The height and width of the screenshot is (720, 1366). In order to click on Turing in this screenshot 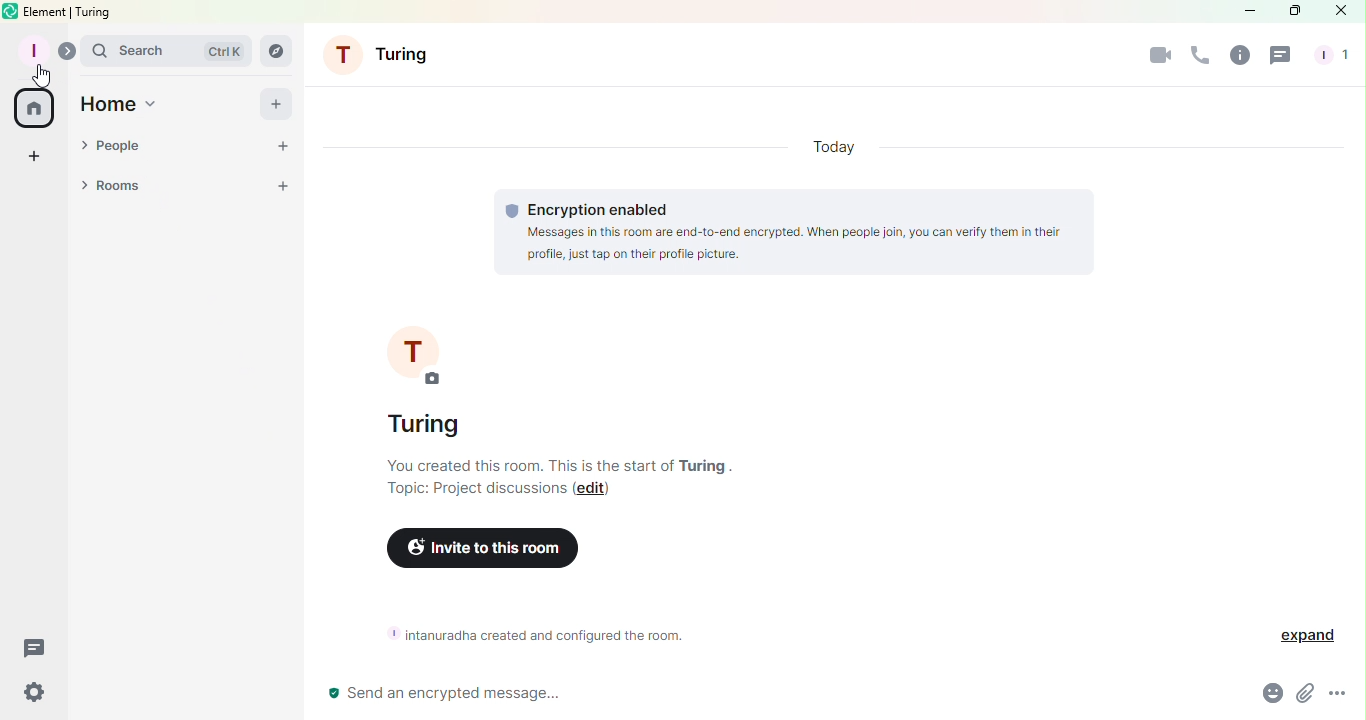, I will do `click(383, 59)`.